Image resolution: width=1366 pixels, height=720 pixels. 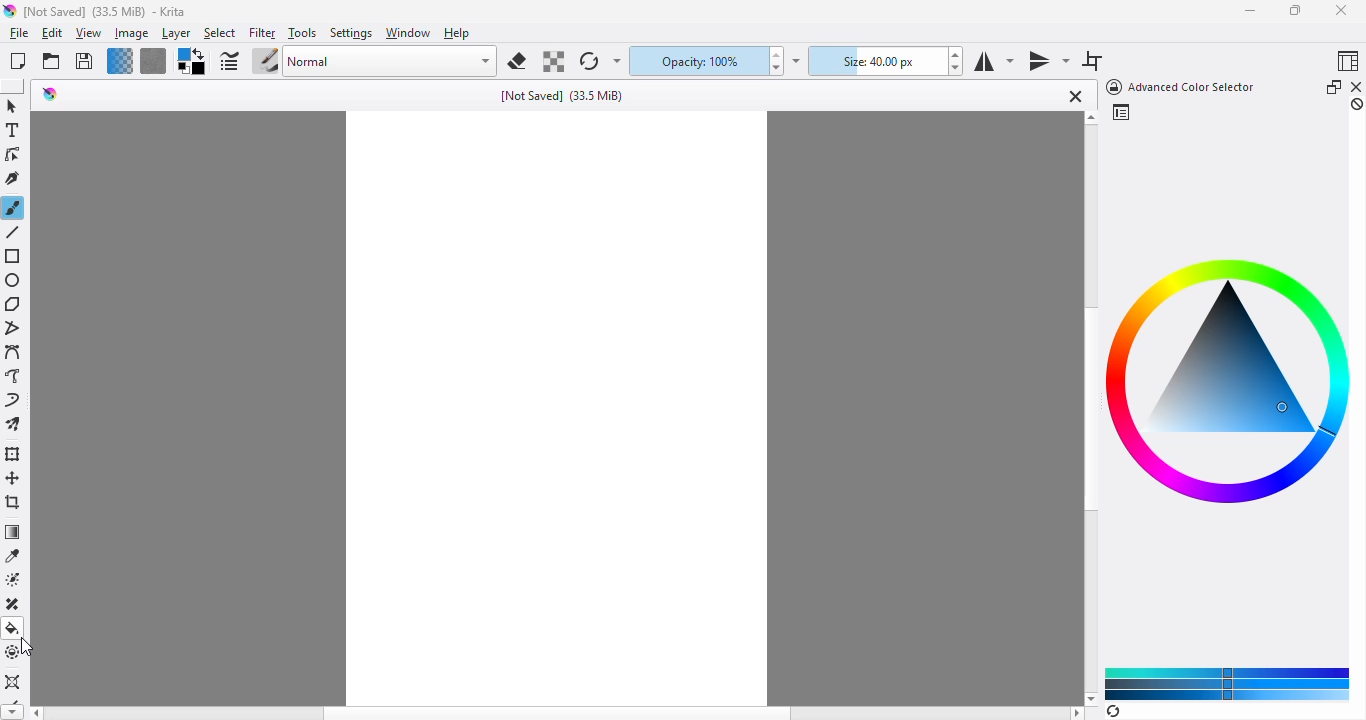 What do you see at coordinates (13, 130) in the screenshot?
I see `text tool` at bounding box center [13, 130].